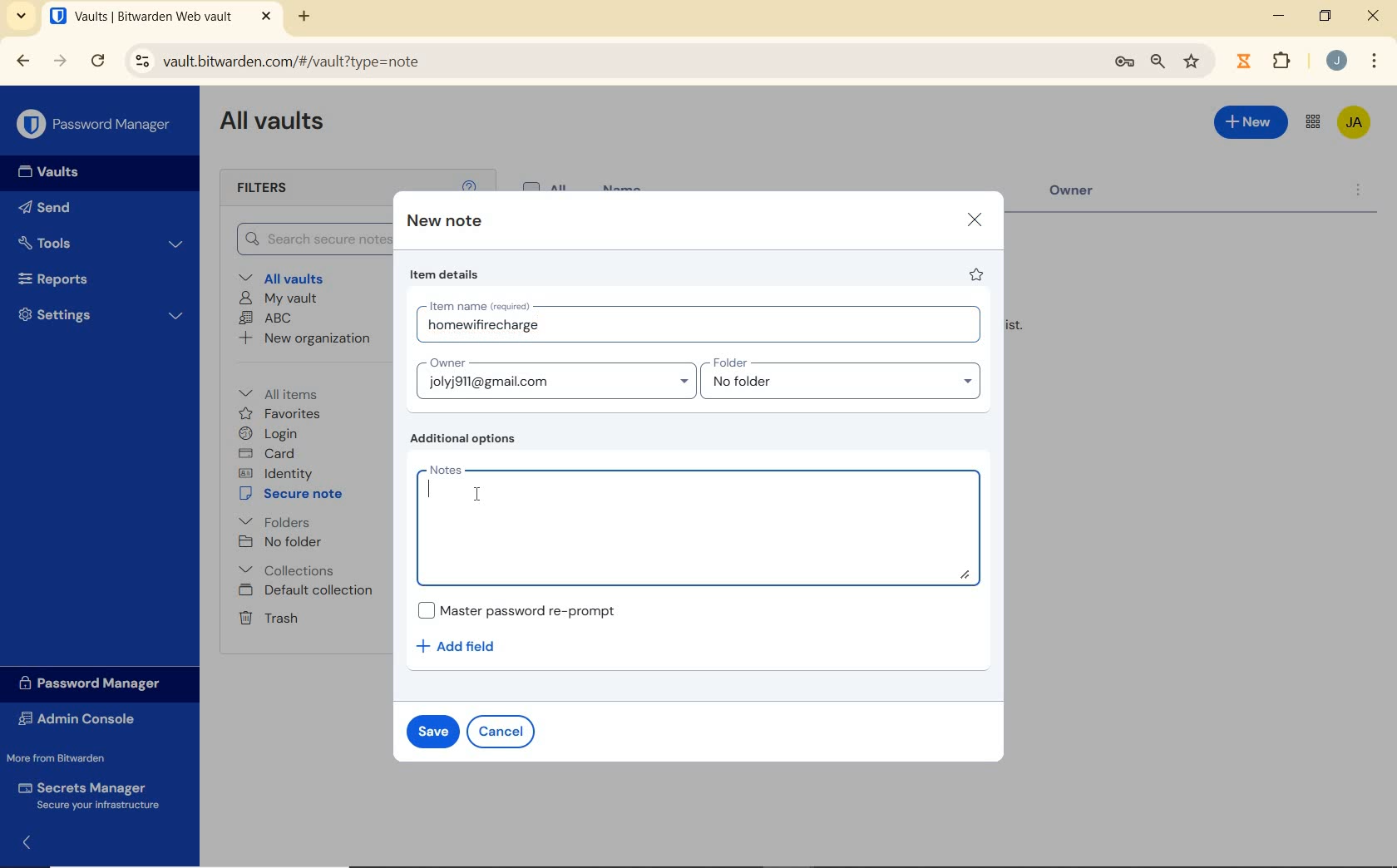 This screenshot has height=868, width=1397. I want to click on More Options, so click(1375, 59).